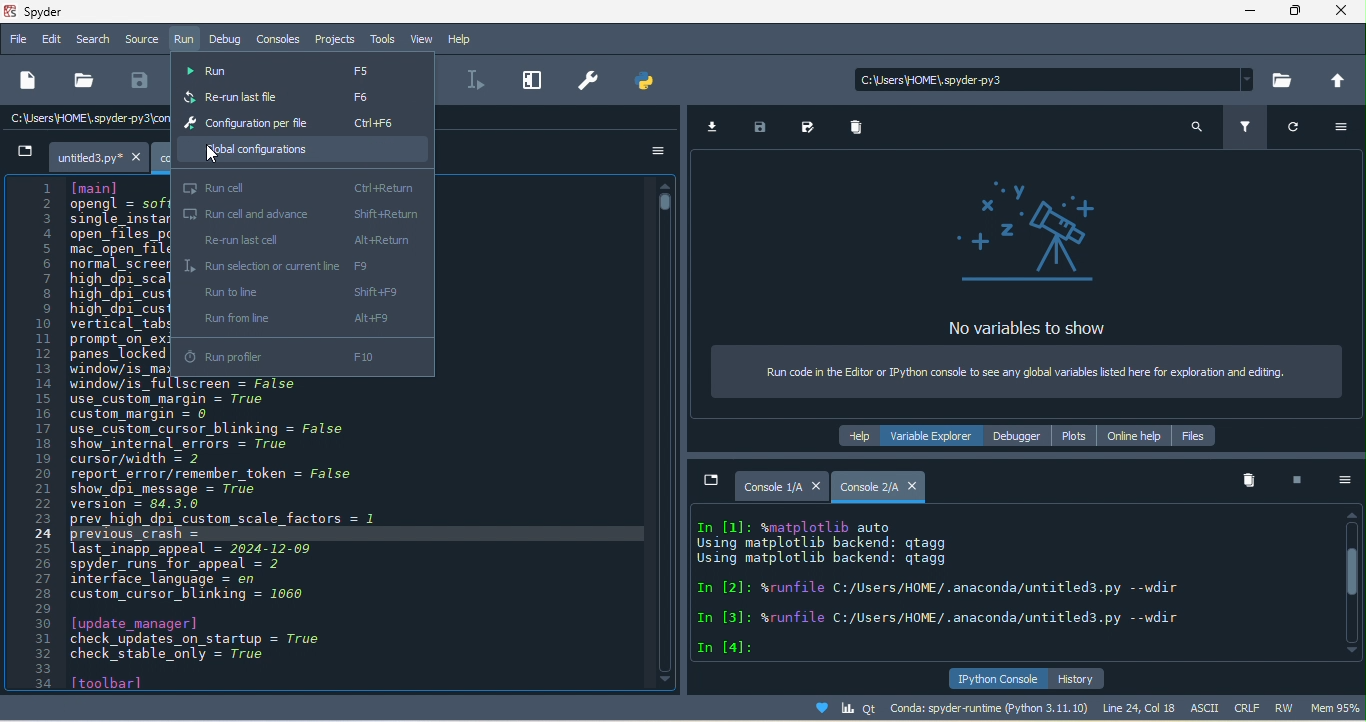  I want to click on pythonpath manager, so click(650, 85).